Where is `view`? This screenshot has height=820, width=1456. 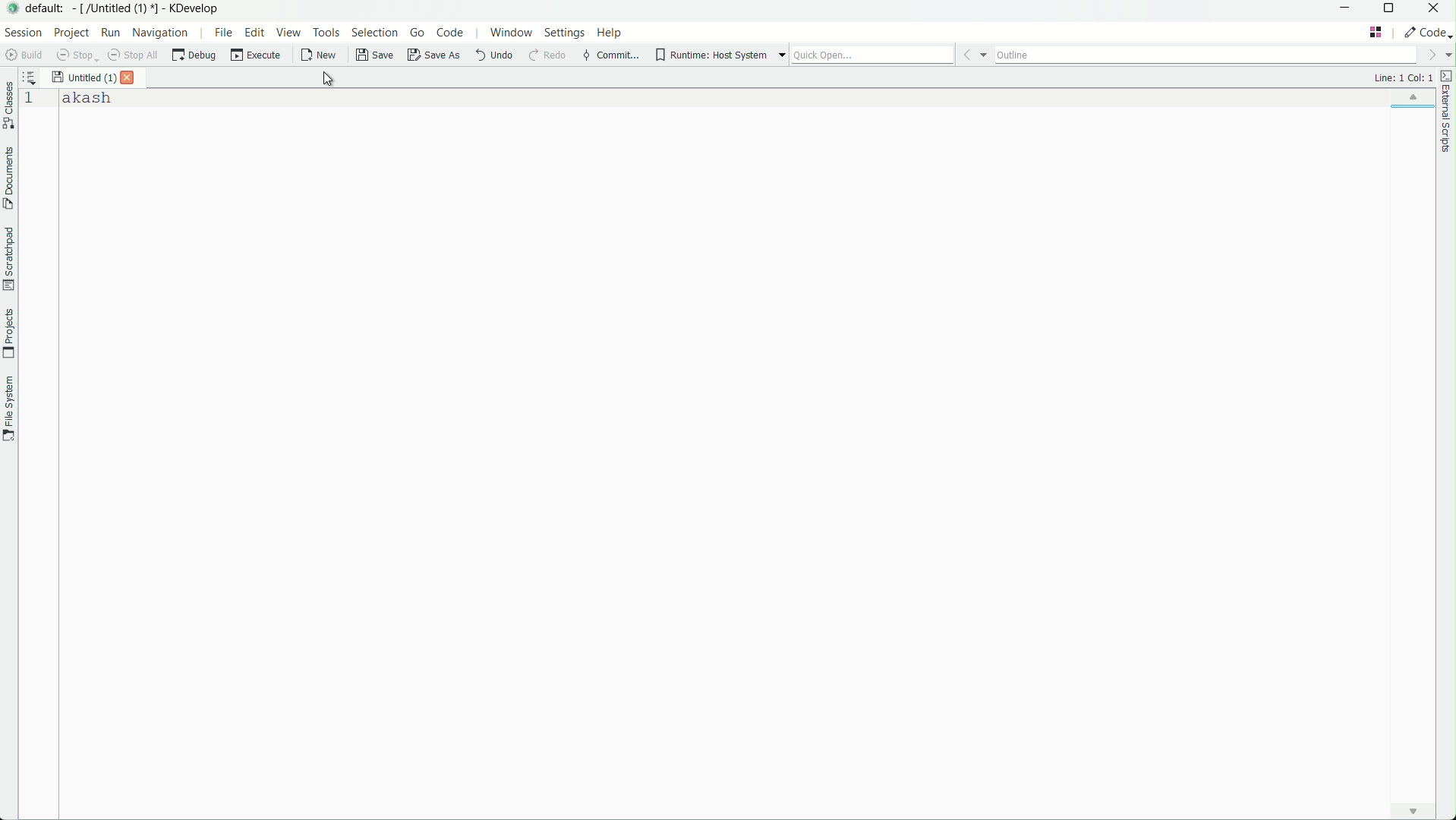 view is located at coordinates (289, 33).